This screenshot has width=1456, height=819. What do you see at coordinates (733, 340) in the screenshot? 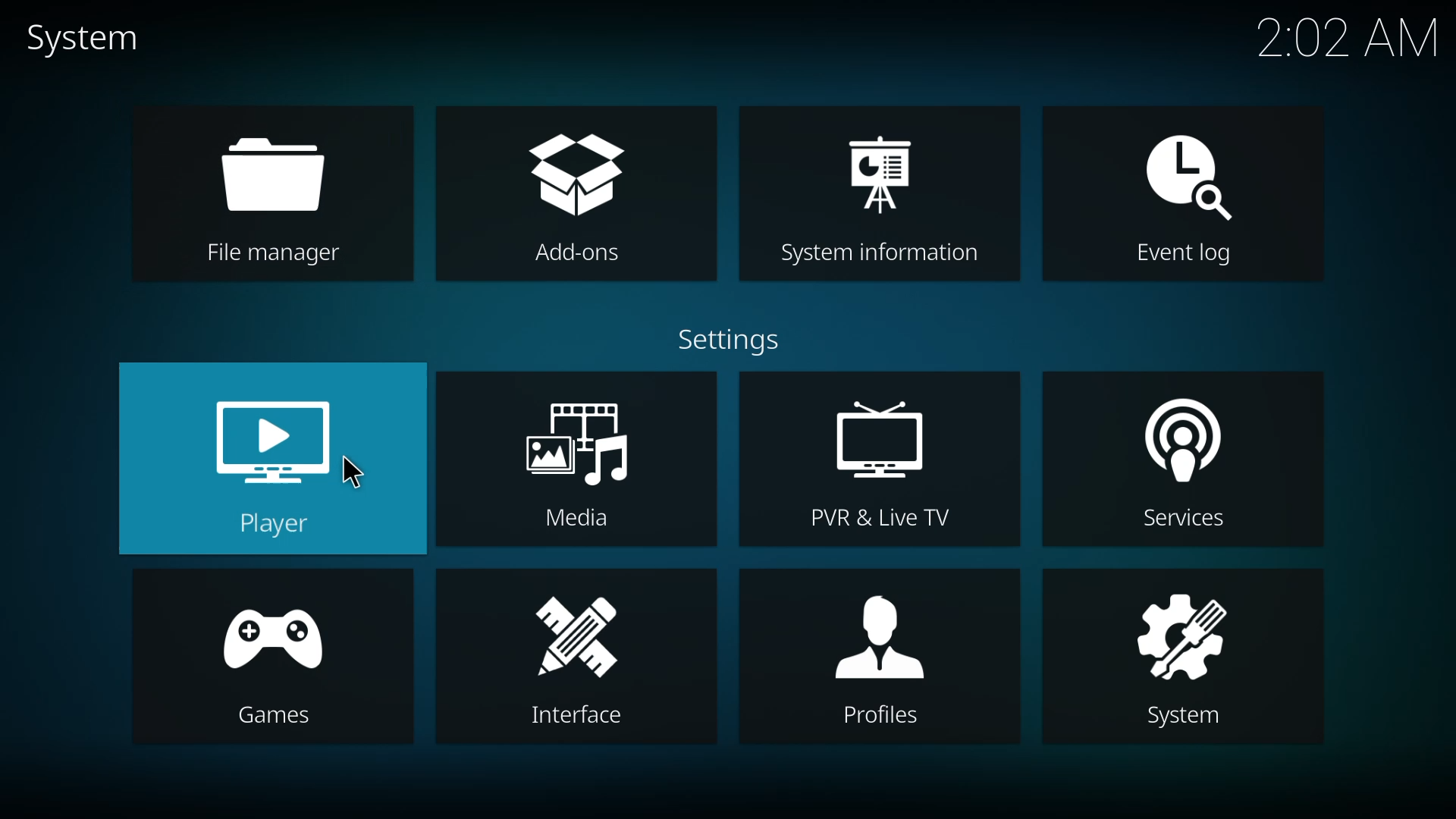
I see `settings` at bounding box center [733, 340].